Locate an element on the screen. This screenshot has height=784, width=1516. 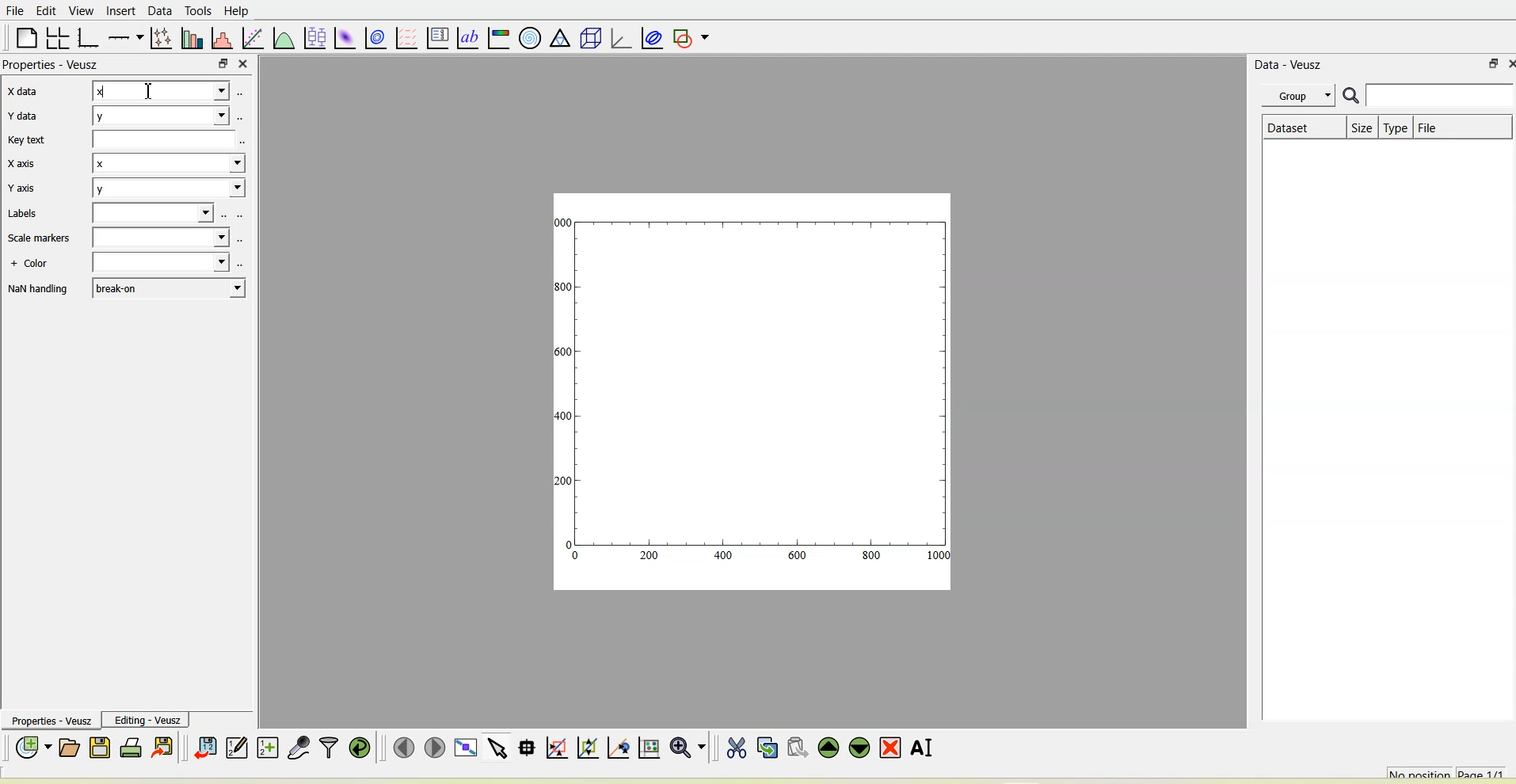
 is located at coordinates (242, 240).